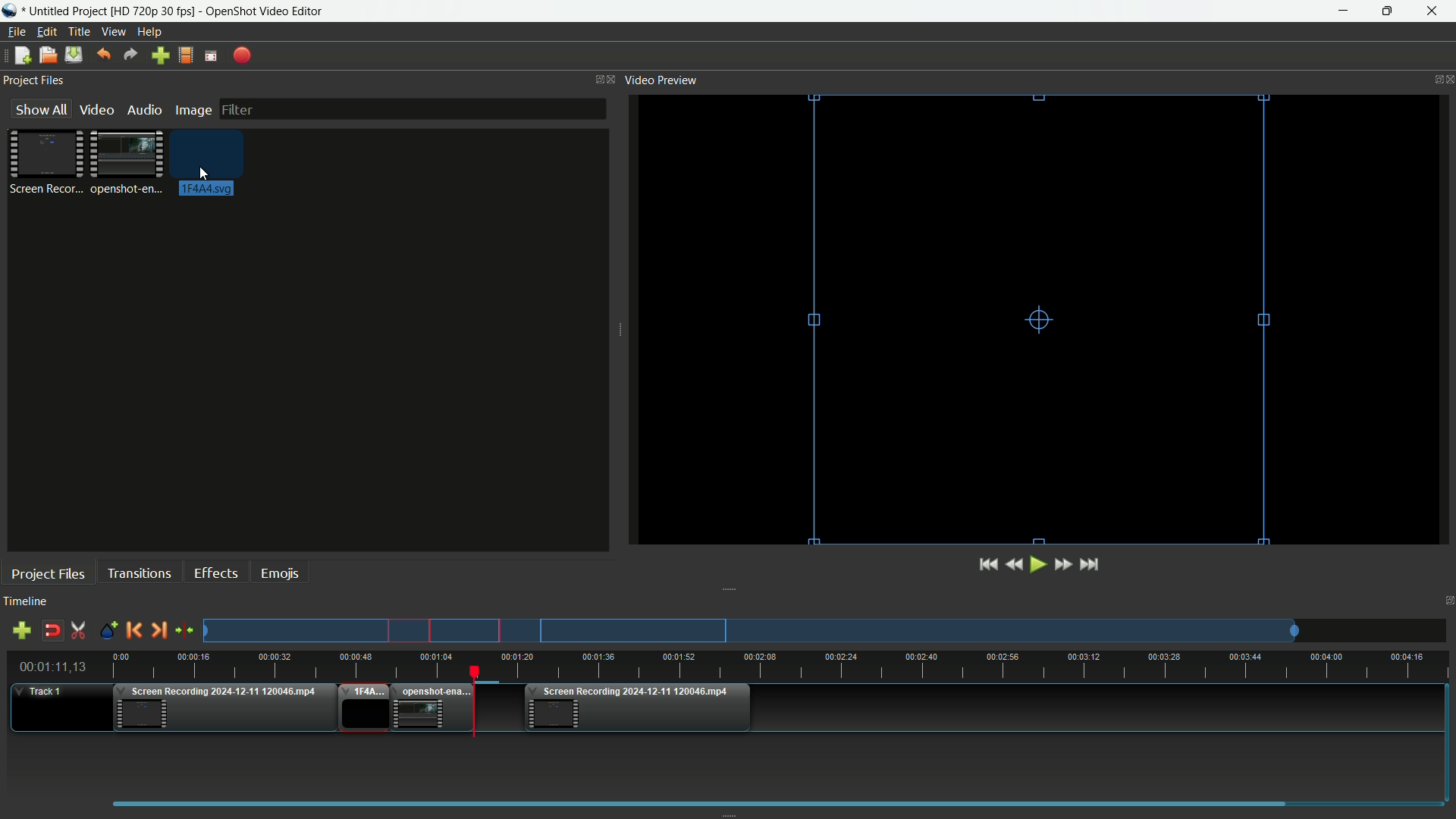  What do you see at coordinates (1447, 78) in the screenshot?
I see `close video preview` at bounding box center [1447, 78].